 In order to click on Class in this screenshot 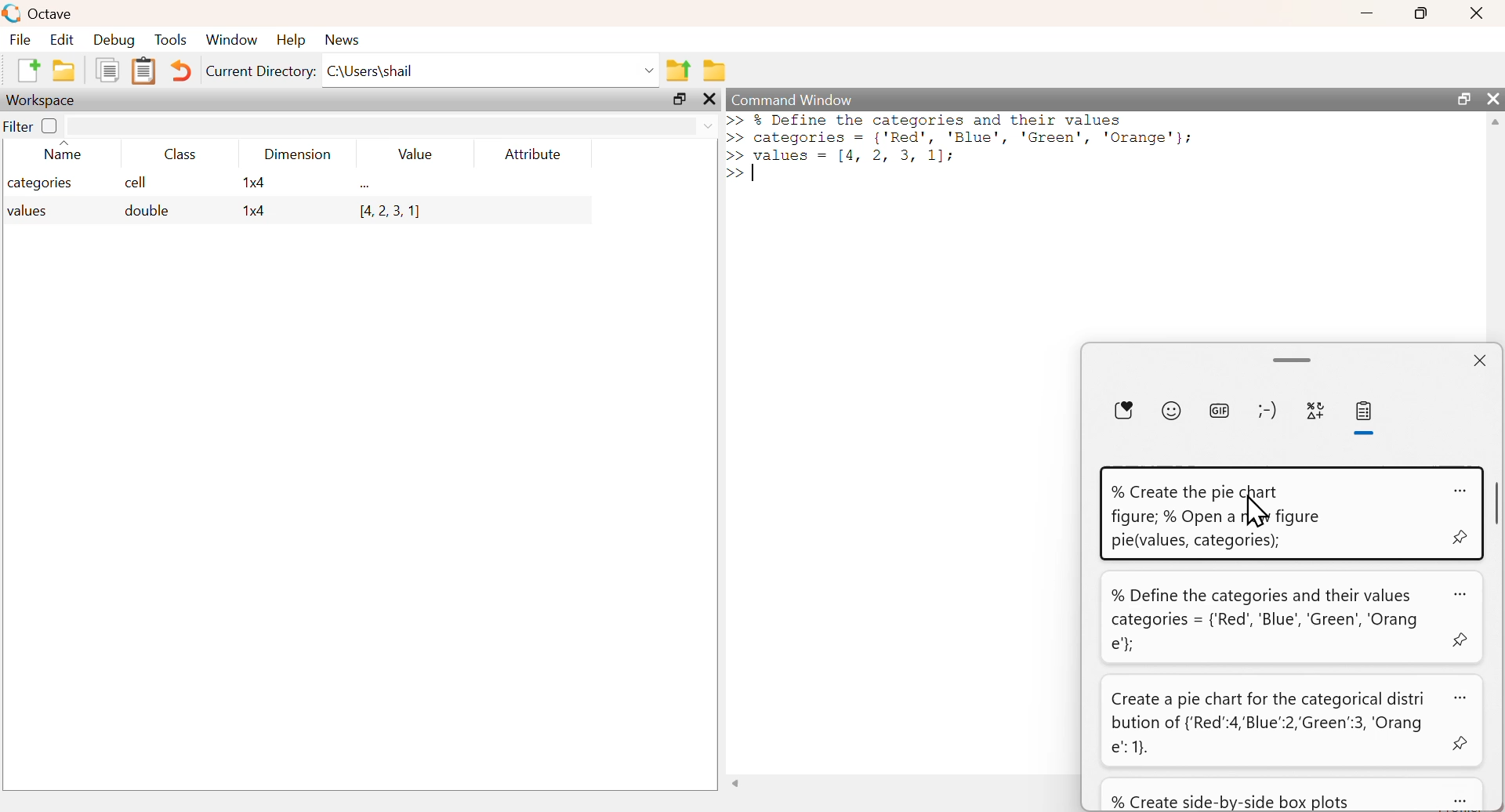, I will do `click(181, 154)`.